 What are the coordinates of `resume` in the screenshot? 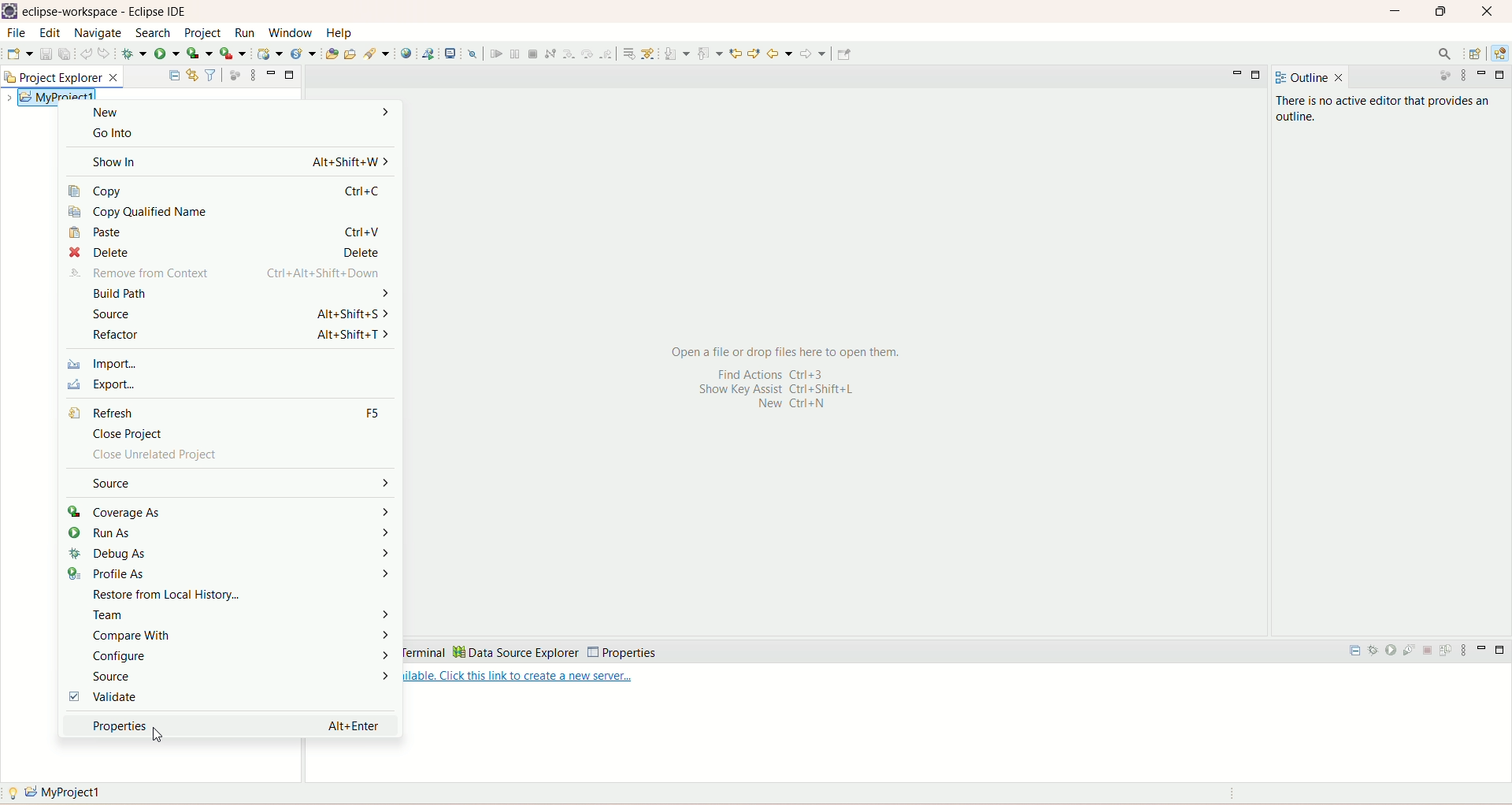 It's located at (496, 54).